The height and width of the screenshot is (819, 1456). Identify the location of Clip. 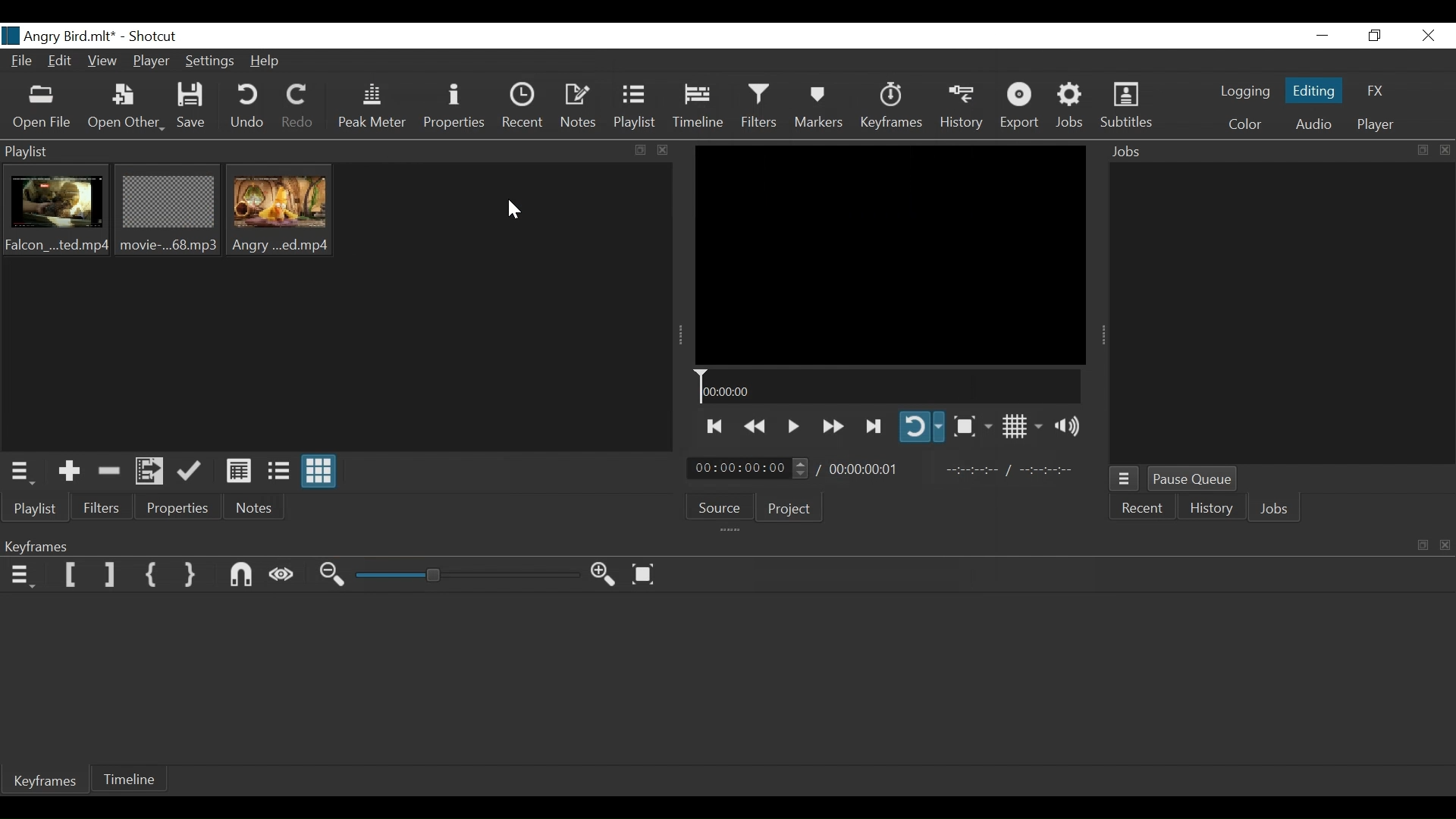
(166, 212).